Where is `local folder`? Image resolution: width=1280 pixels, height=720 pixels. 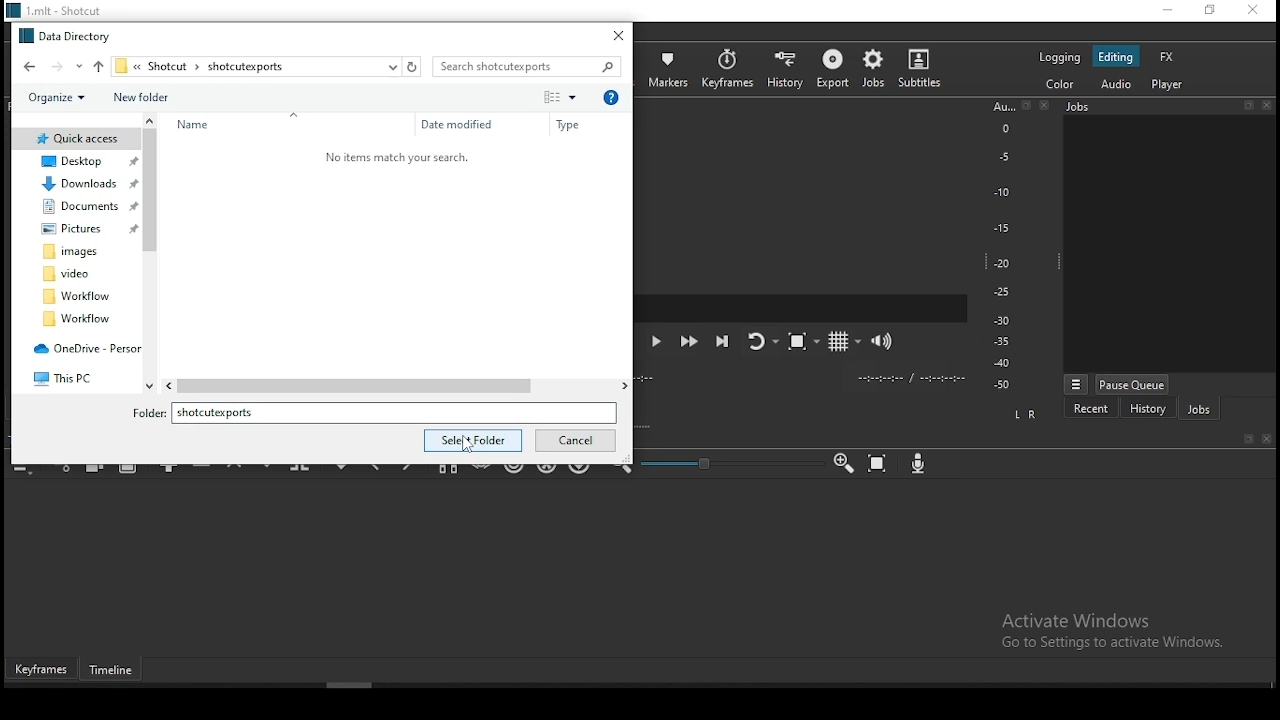
local folder is located at coordinates (82, 185).